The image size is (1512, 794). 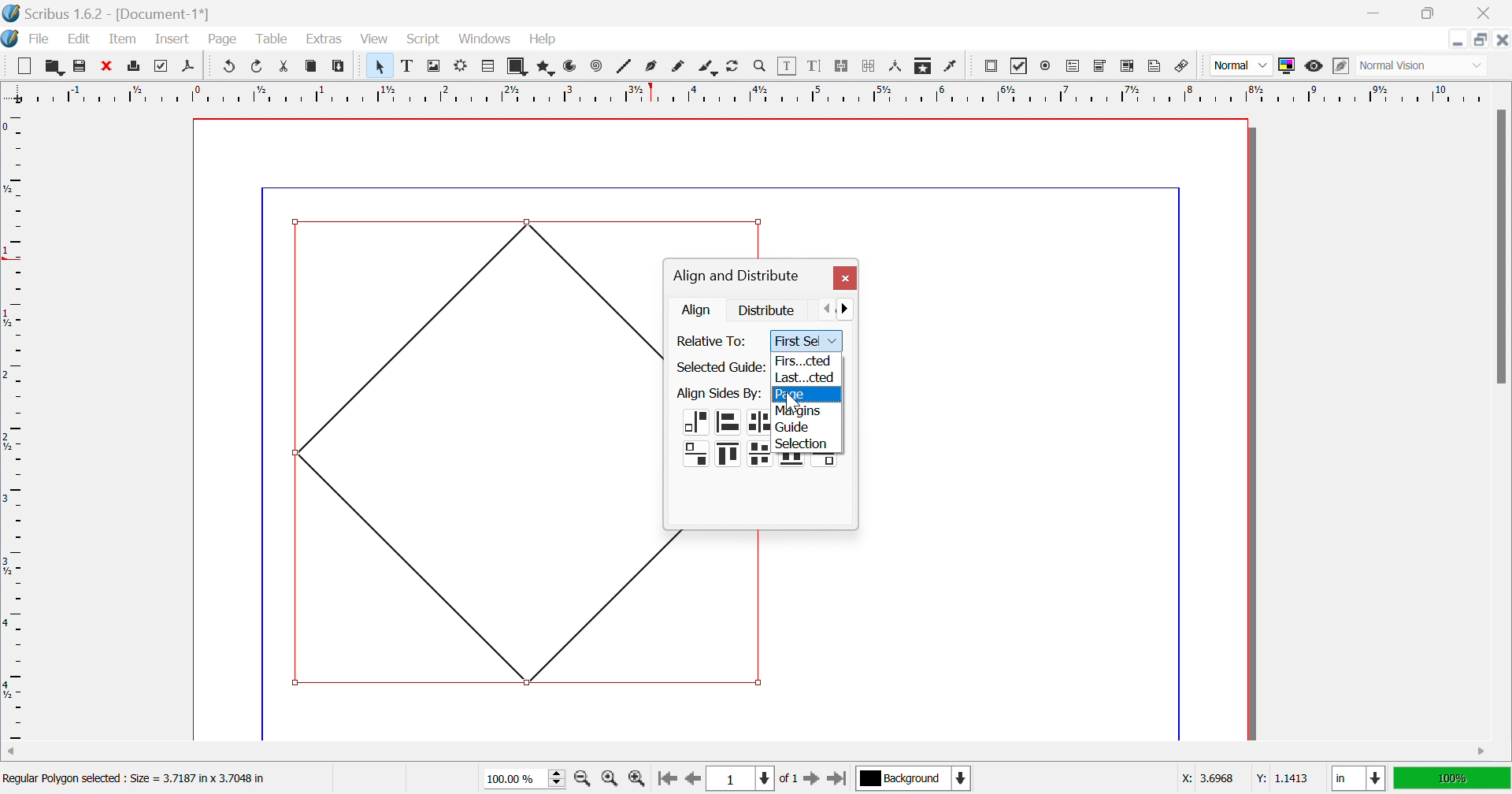 What do you see at coordinates (636, 782) in the screenshot?
I see `Zoom in by the stepping value in Tools preferences` at bounding box center [636, 782].